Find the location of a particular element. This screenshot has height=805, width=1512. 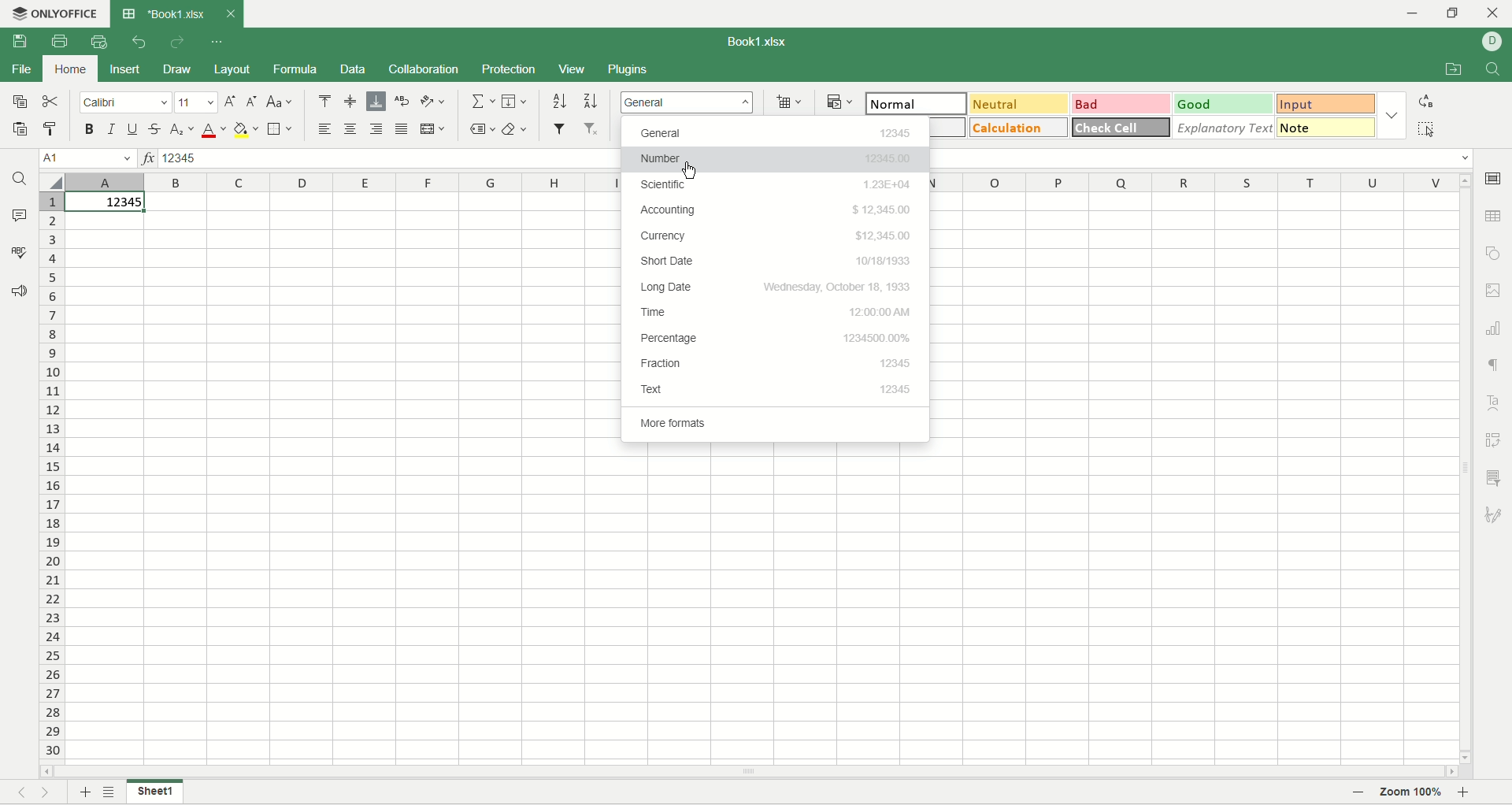

vertical scroll bar is located at coordinates (1467, 469).